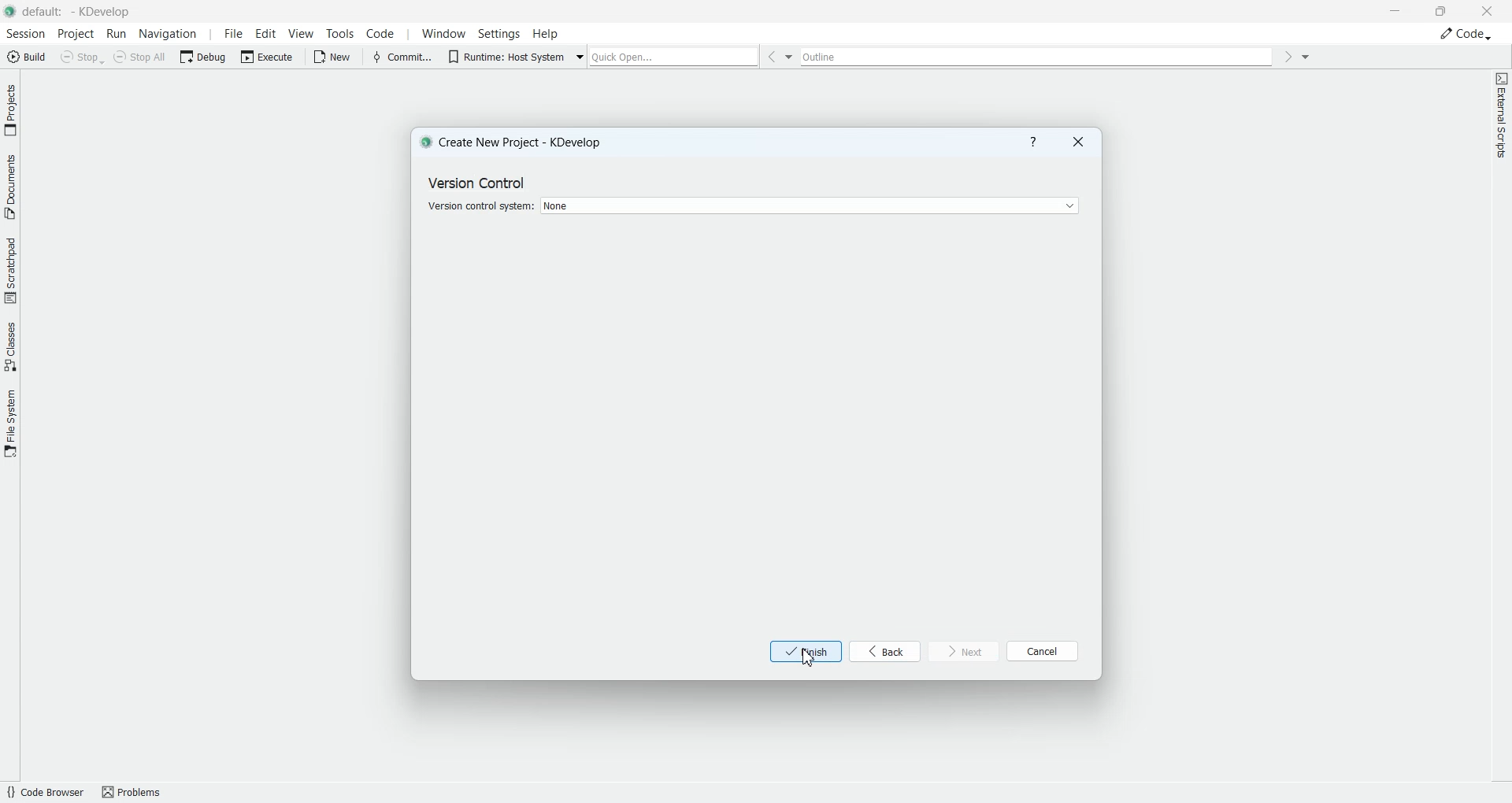 The height and width of the screenshot is (803, 1512). Describe the element at coordinates (24, 34) in the screenshot. I see `Session` at that location.